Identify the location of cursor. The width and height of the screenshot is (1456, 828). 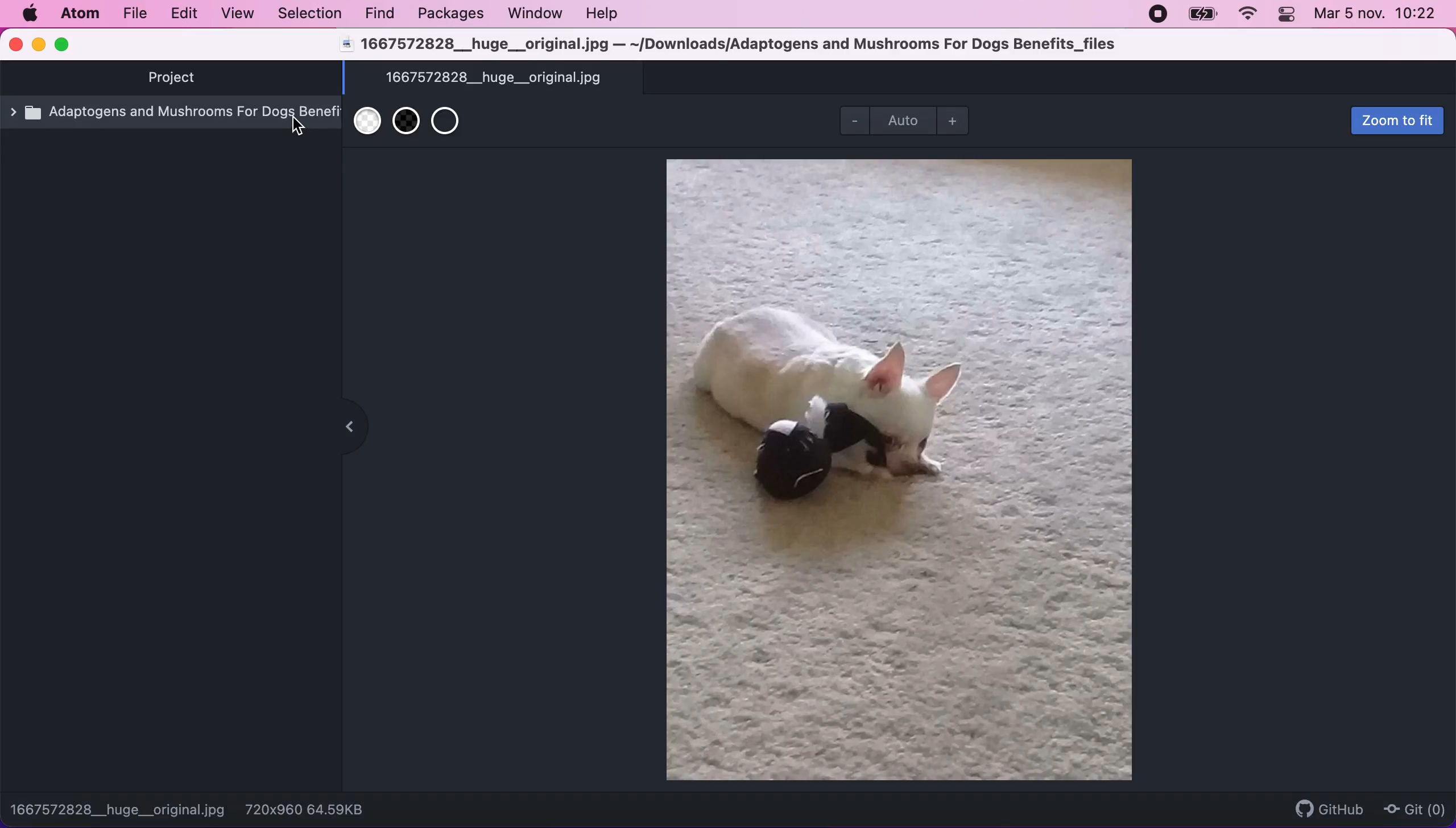
(299, 127).